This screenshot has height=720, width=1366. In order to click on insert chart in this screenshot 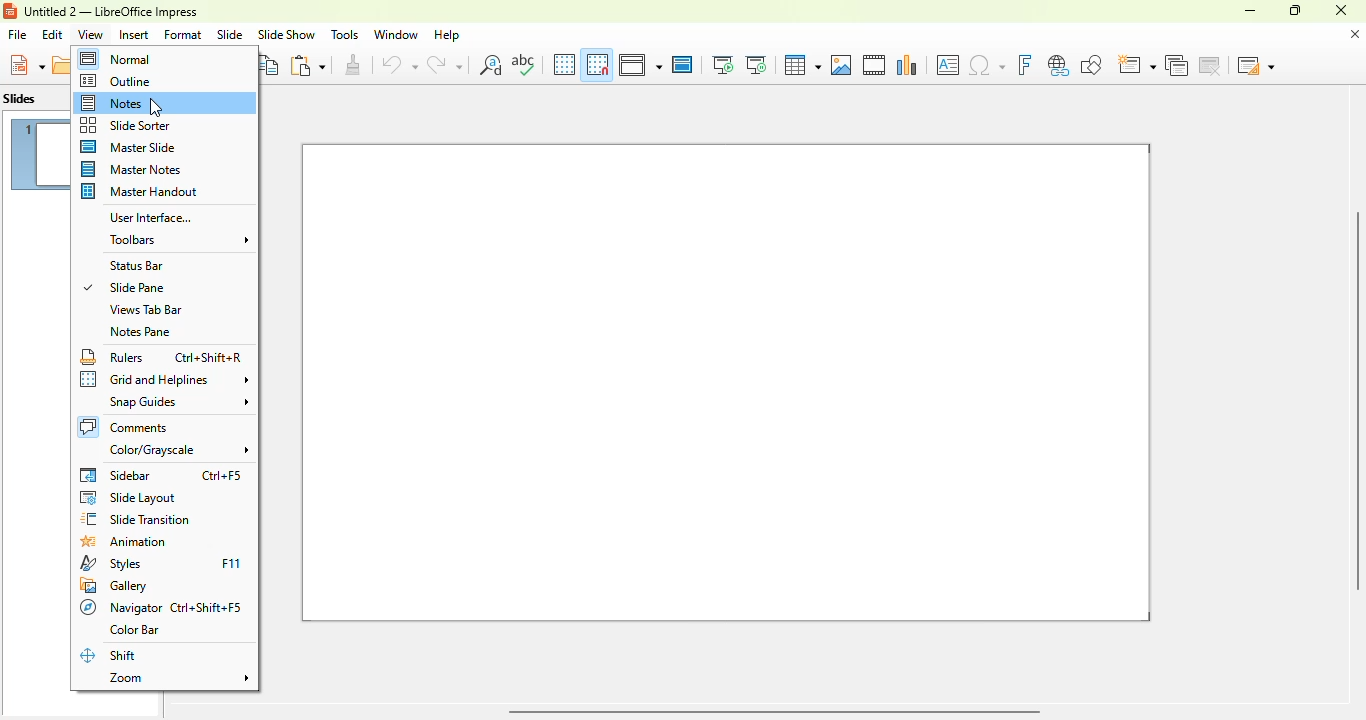, I will do `click(908, 65)`.